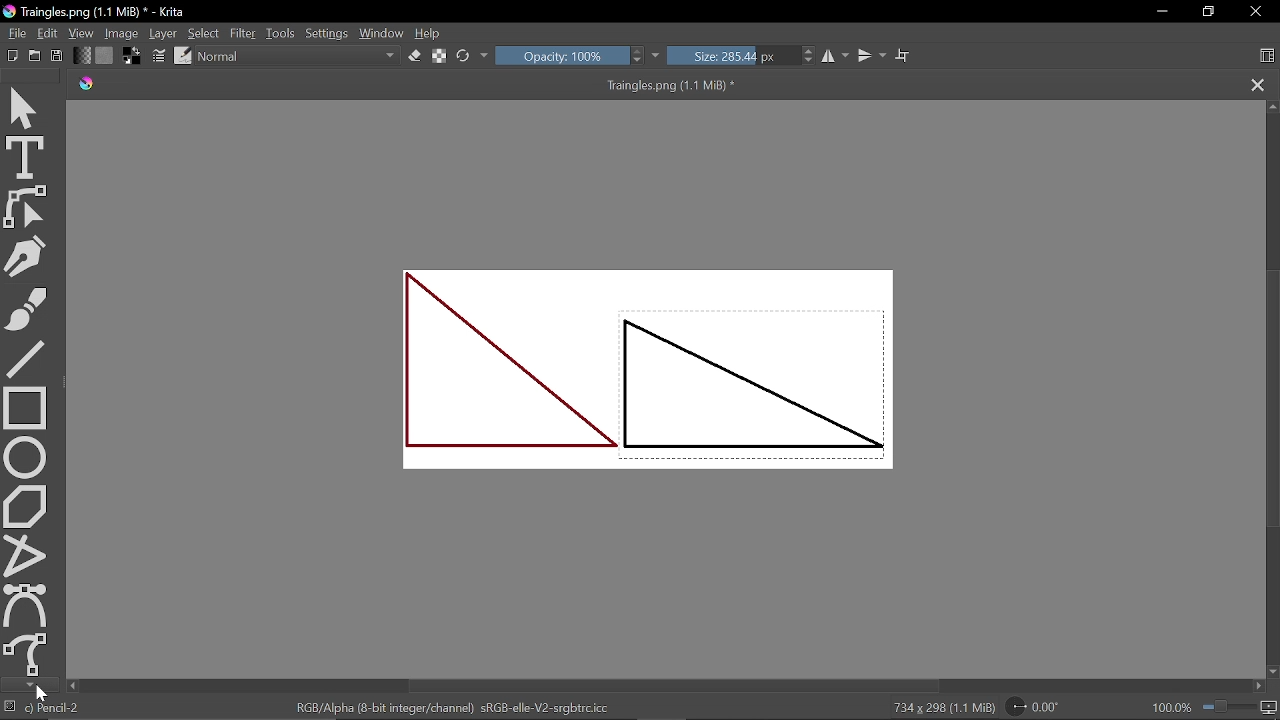 The width and height of the screenshot is (1280, 720). Describe the element at coordinates (8, 707) in the screenshot. I see `No selection` at that location.